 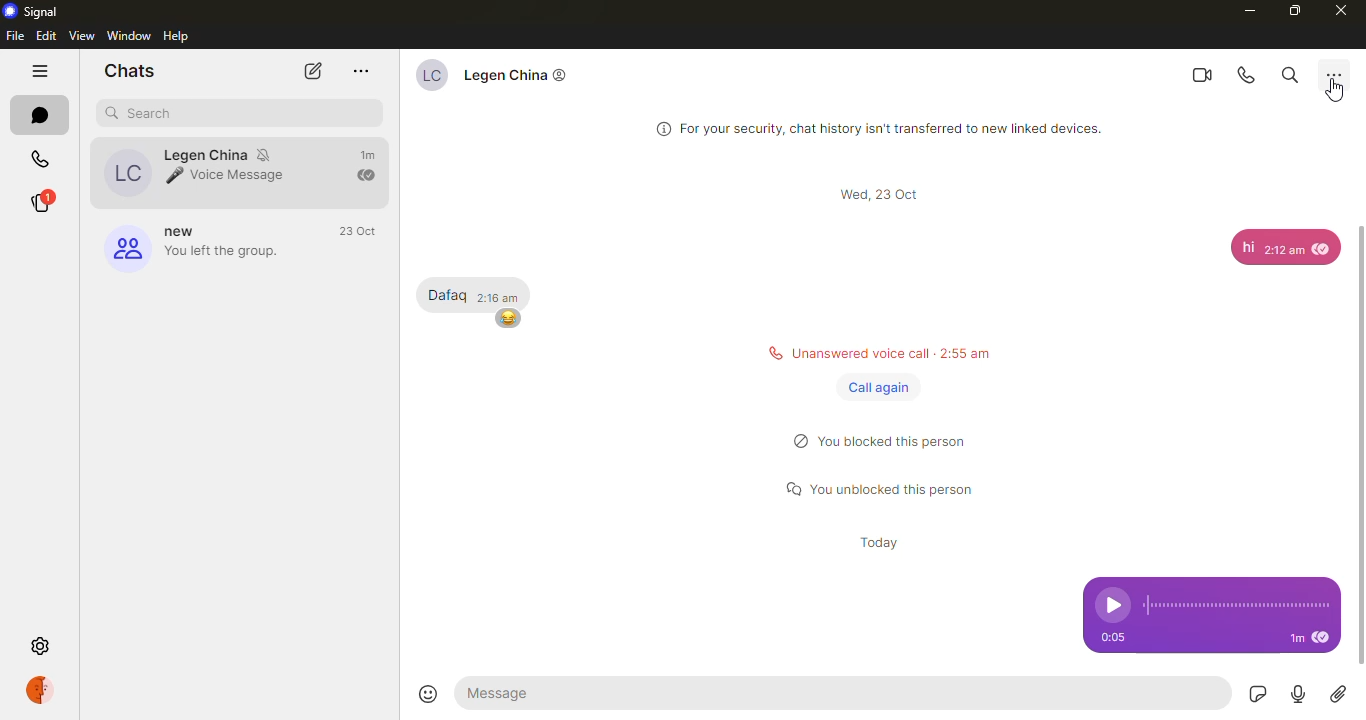 What do you see at coordinates (1290, 74) in the screenshot?
I see `search` at bounding box center [1290, 74].